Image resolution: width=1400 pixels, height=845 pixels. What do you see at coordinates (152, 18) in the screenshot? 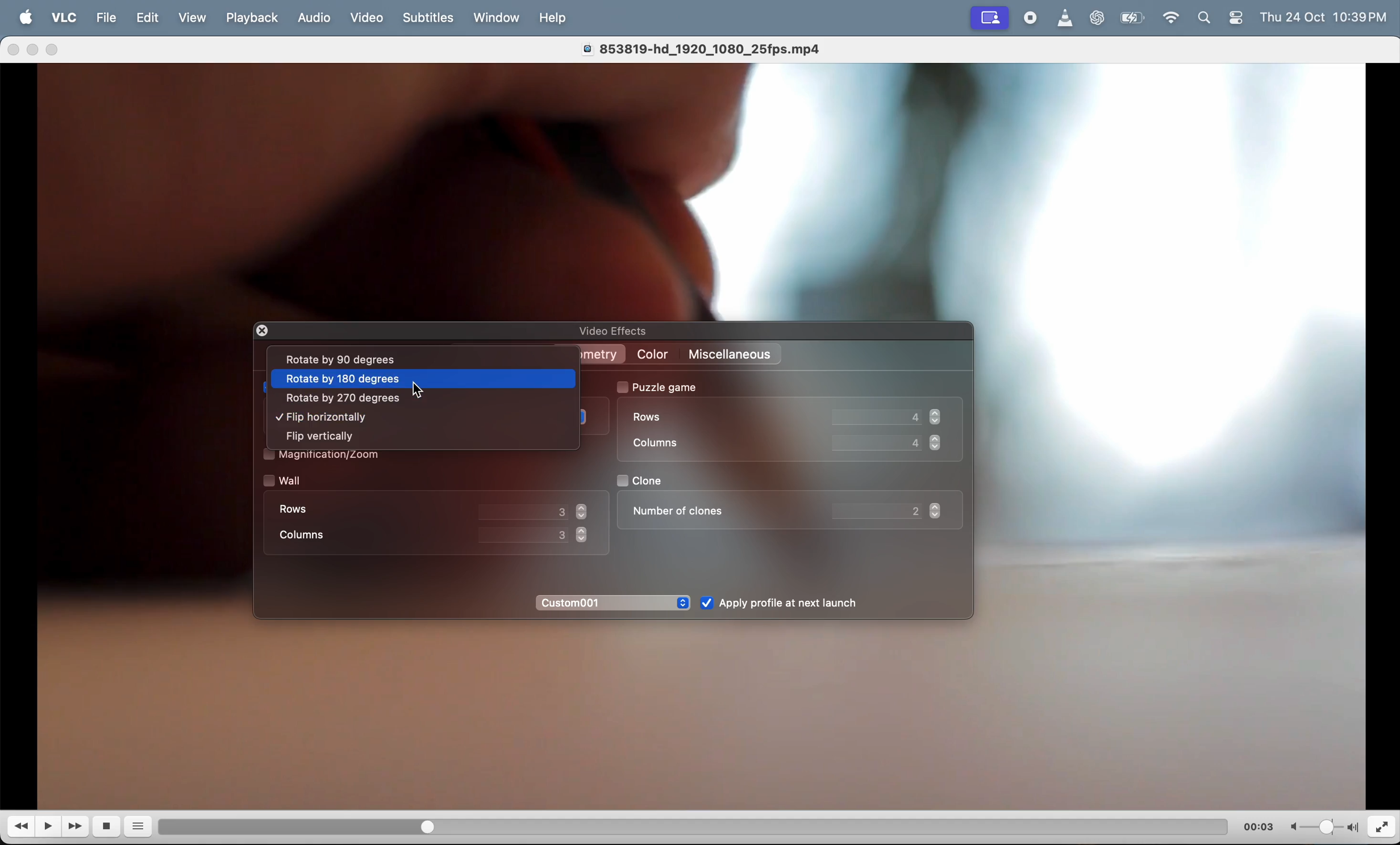
I see `edit` at bounding box center [152, 18].